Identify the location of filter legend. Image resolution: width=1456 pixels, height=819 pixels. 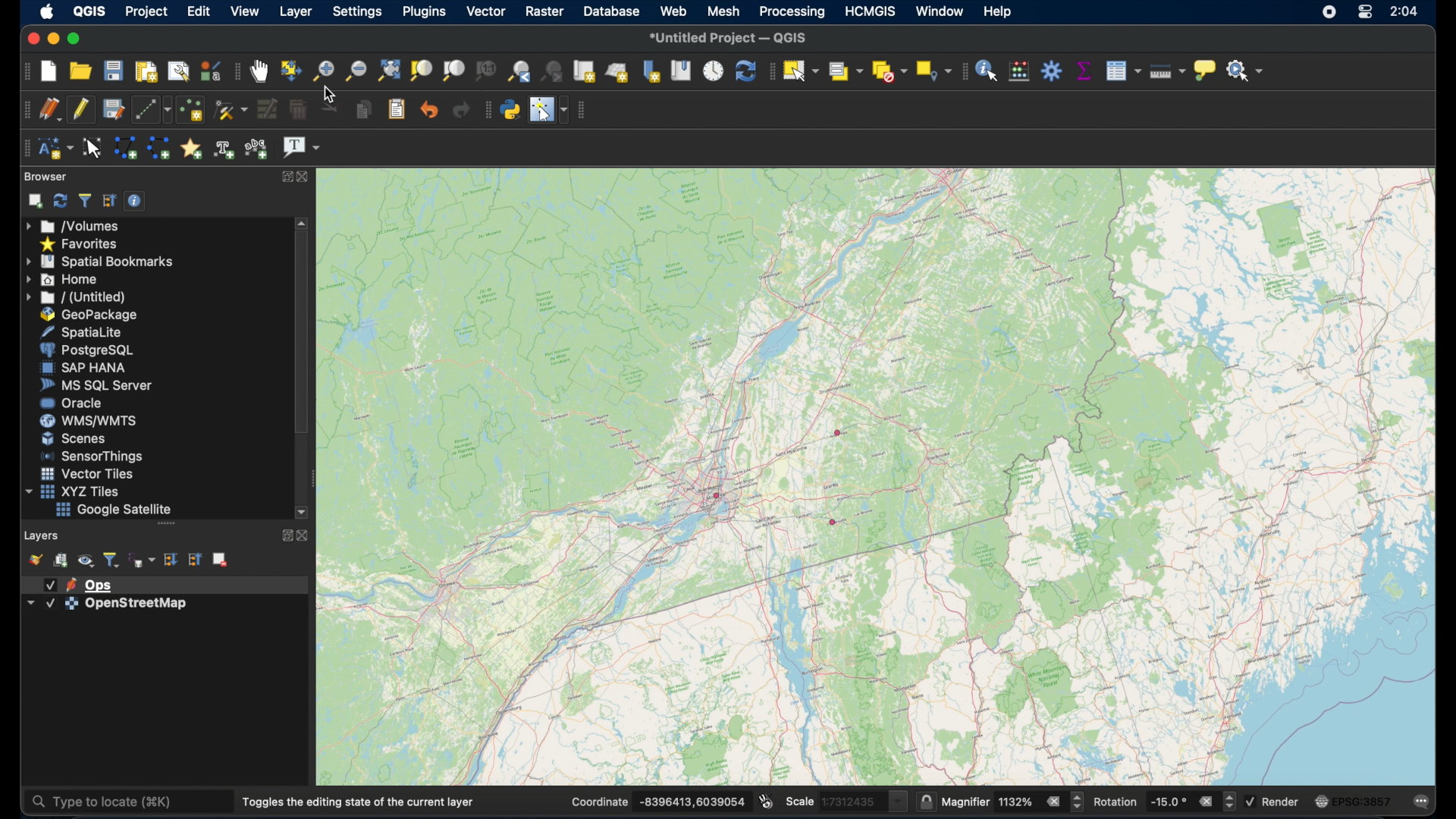
(111, 559).